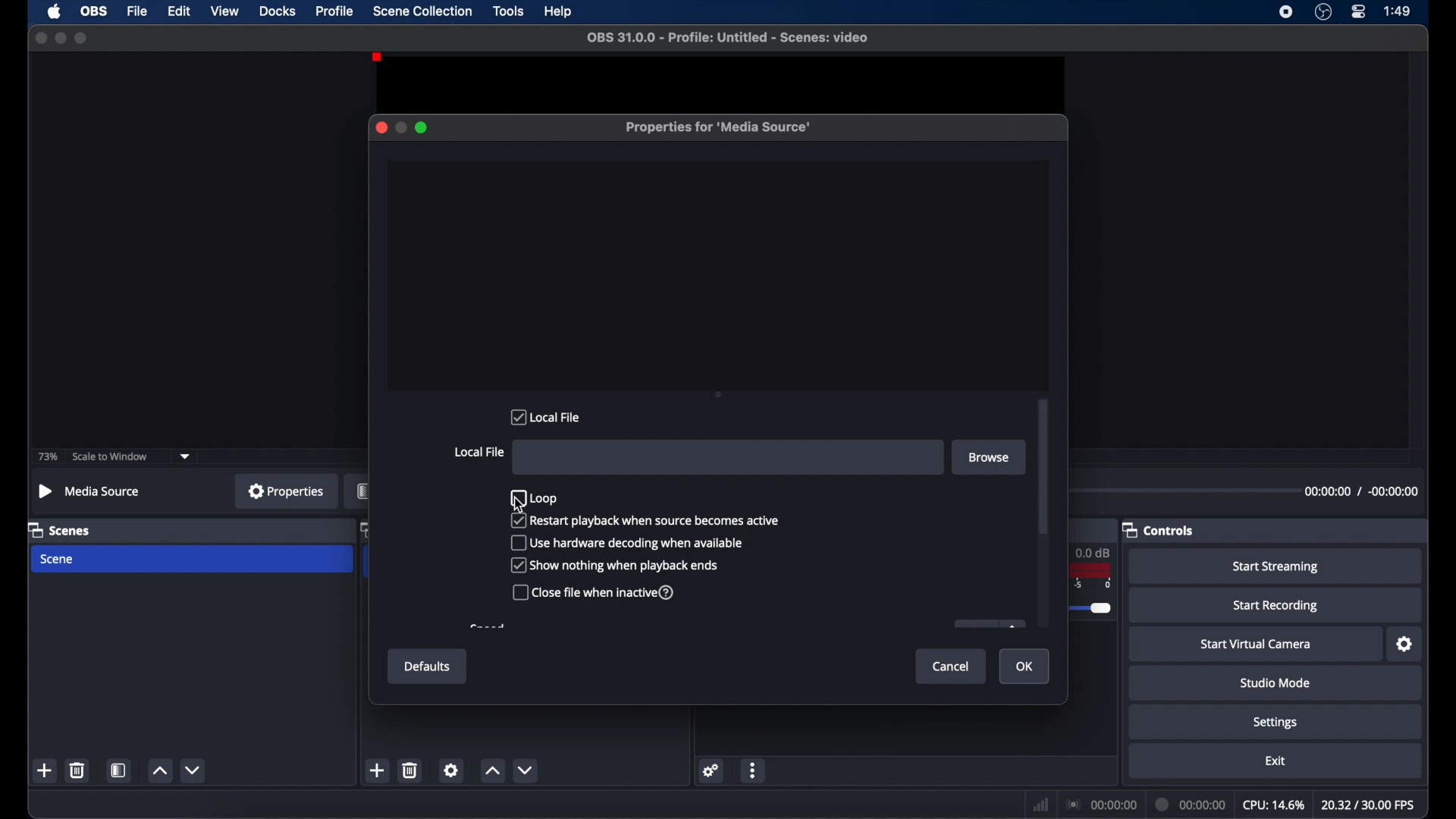 The width and height of the screenshot is (1456, 819). What do you see at coordinates (401, 127) in the screenshot?
I see `minimize` at bounding box center [401, 127].